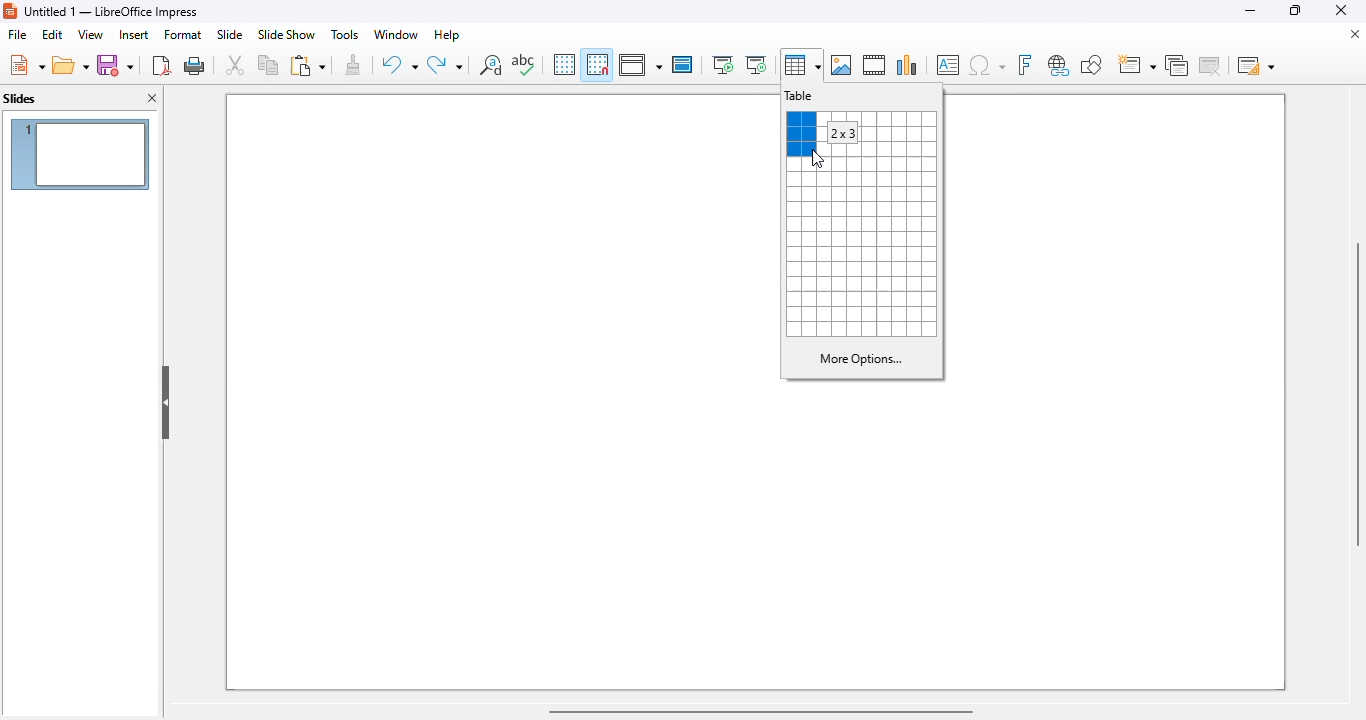  What do you see at coordinates (135, 35) in the screenshot?
I see `insert` at bounding box center [135, 35].